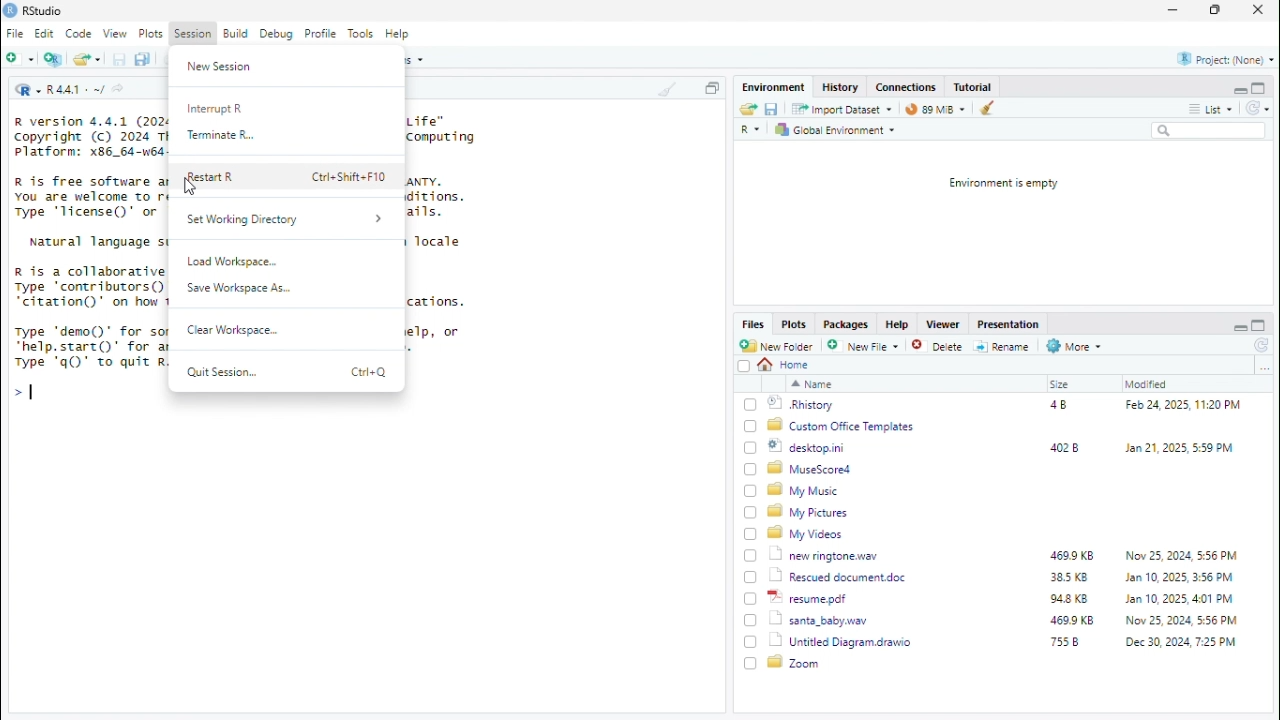 The image size is (1280, 720). I want to click on clean, so click(669, 87).